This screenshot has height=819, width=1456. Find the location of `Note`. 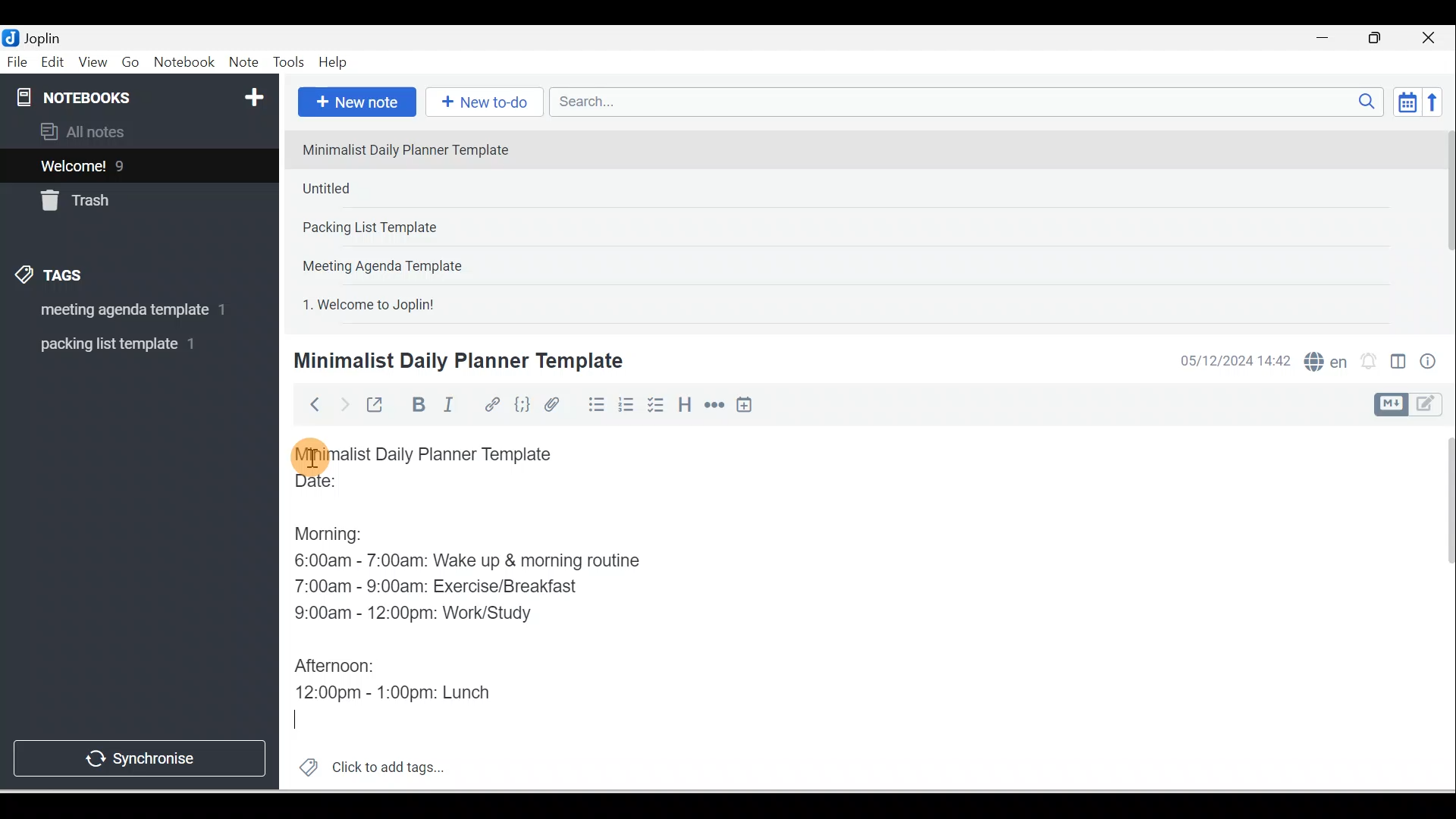

Note is located at coordinates (242, 63).